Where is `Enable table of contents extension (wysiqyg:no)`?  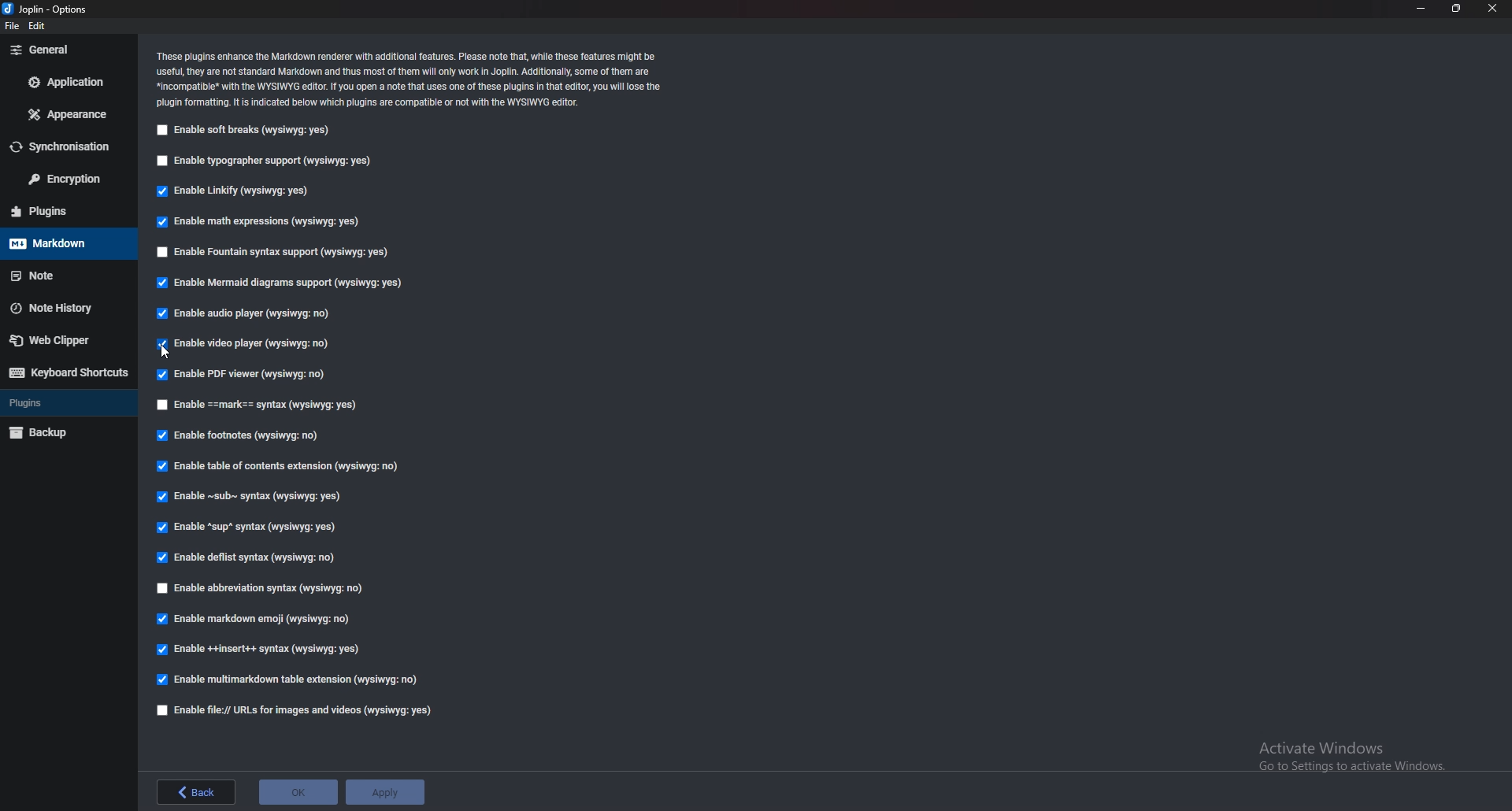
Enable table of contents extension (wysiqyg:no) is located at coordinates (278, 466).